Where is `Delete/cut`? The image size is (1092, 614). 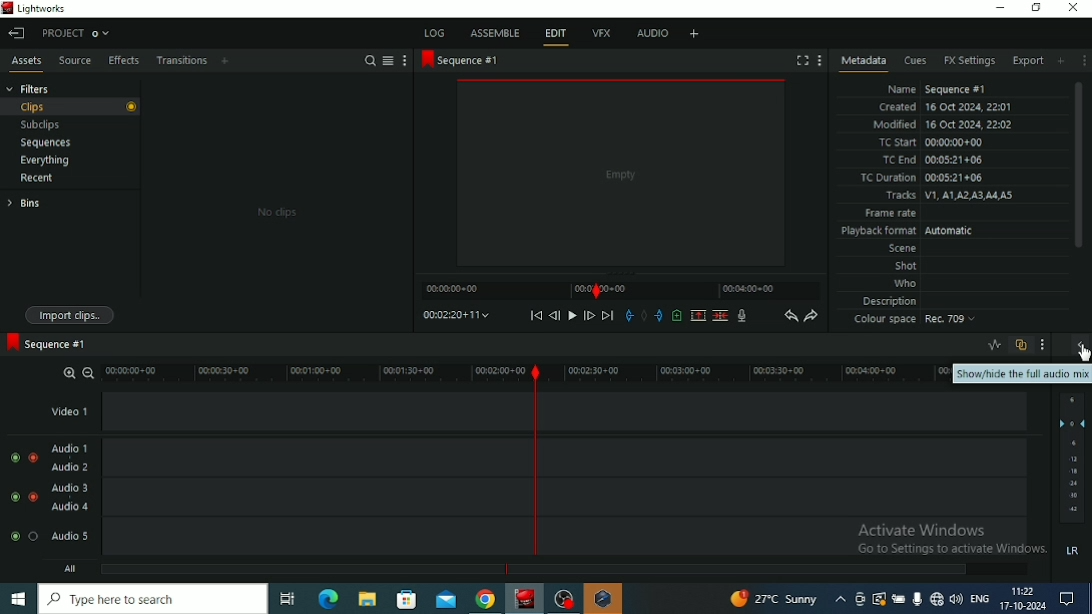
Delete/cut is located at coordinates (720, 316).